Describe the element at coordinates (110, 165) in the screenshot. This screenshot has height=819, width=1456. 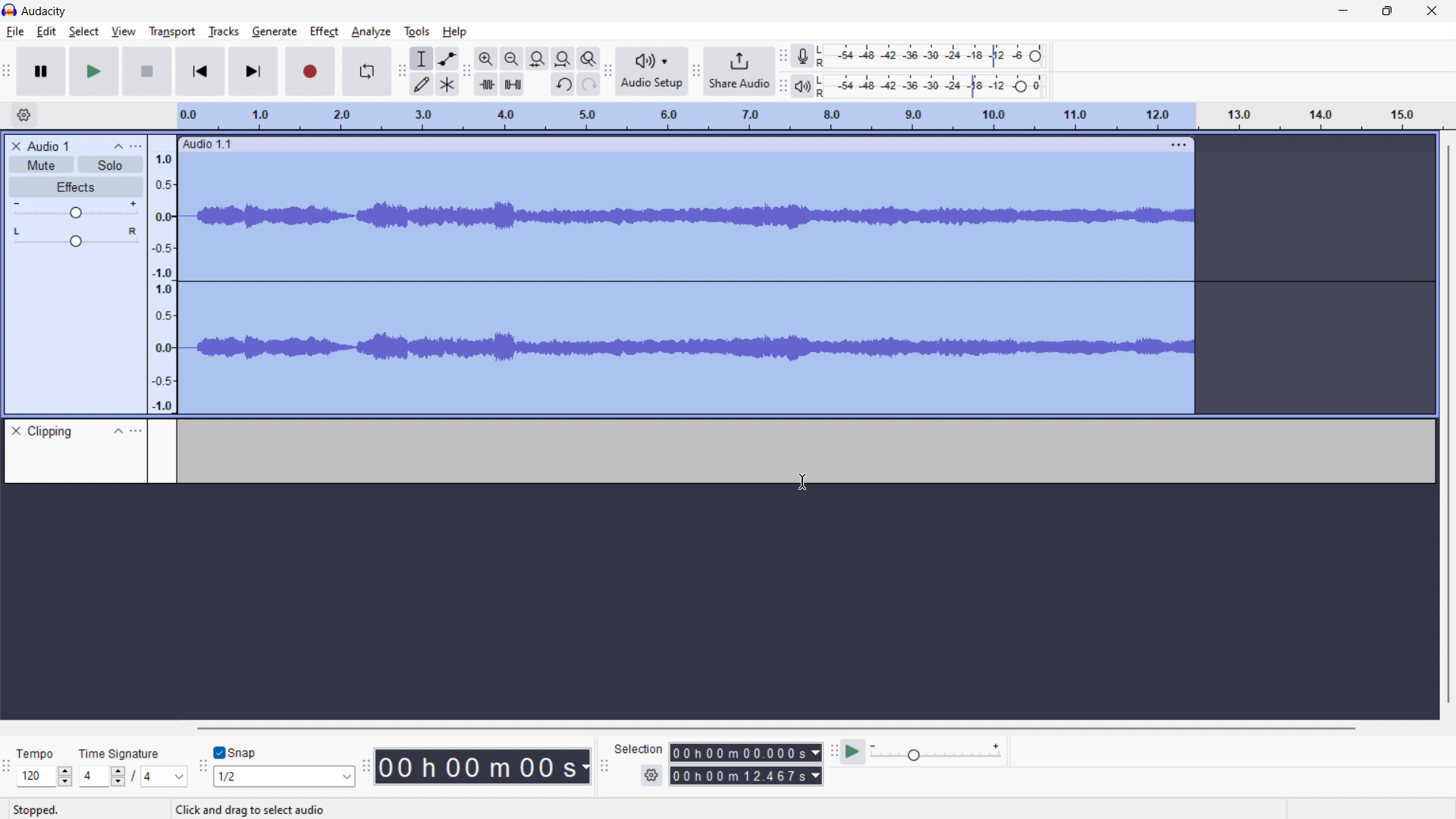
I see `solo` at that location.